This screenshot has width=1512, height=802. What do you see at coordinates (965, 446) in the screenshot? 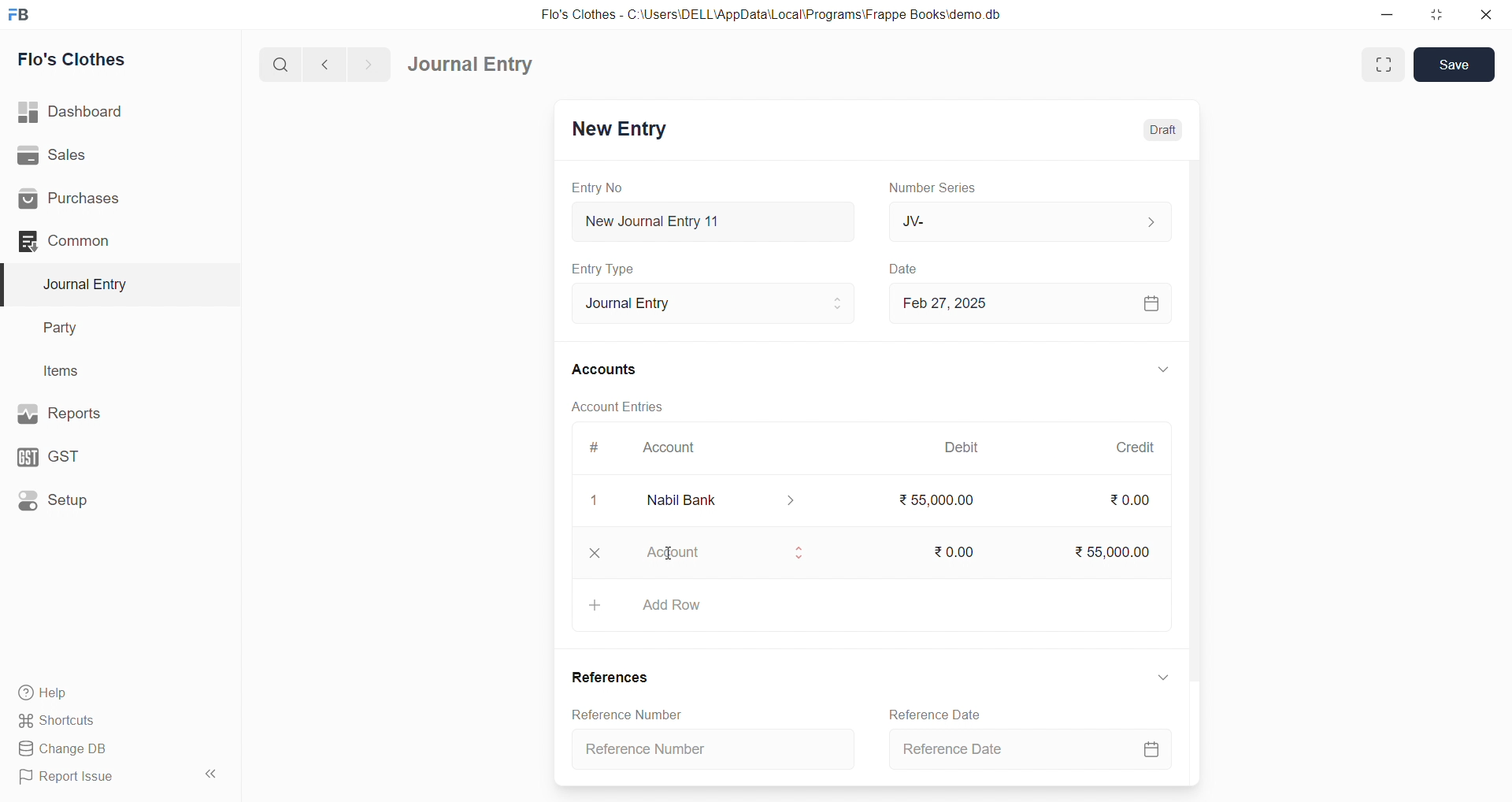
I see `Debit` at bounding box center [965, 446].